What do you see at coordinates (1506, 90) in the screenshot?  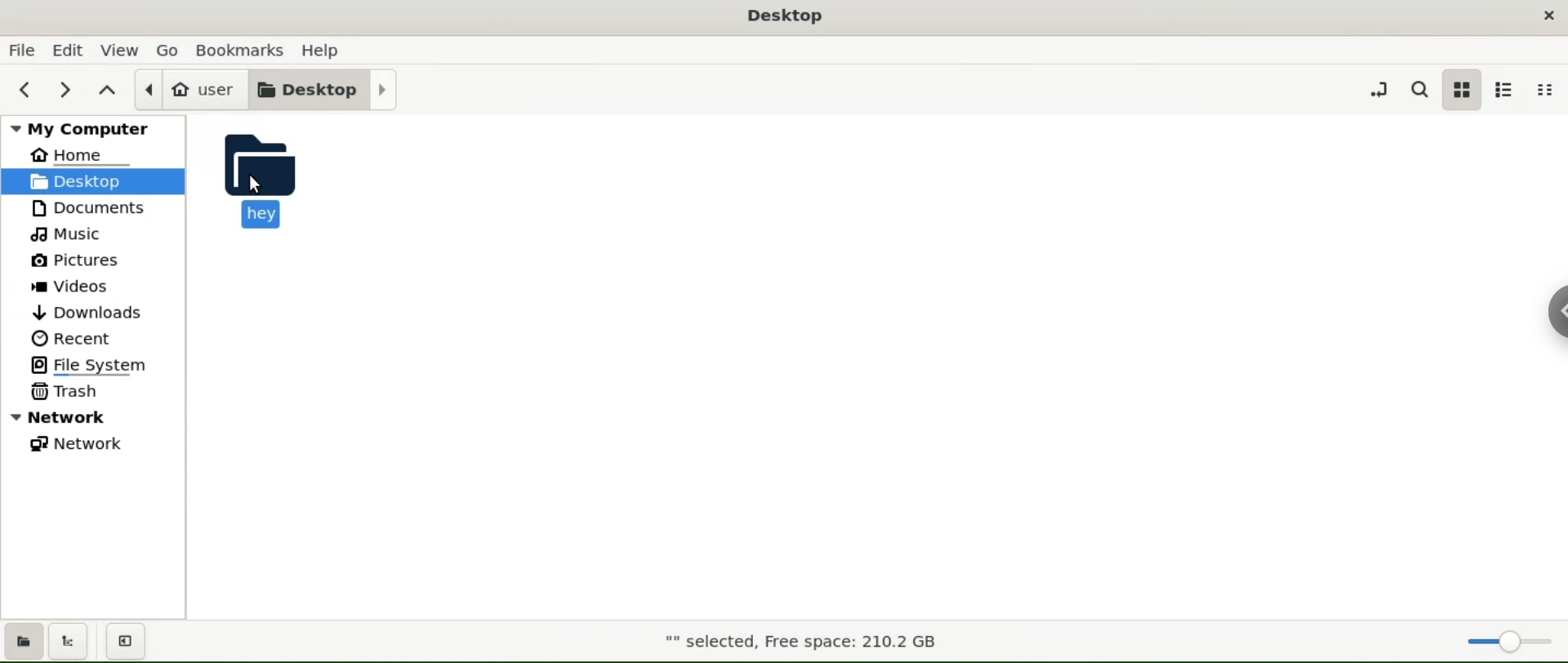 I see `list view` at bounding box center [1506, 90].